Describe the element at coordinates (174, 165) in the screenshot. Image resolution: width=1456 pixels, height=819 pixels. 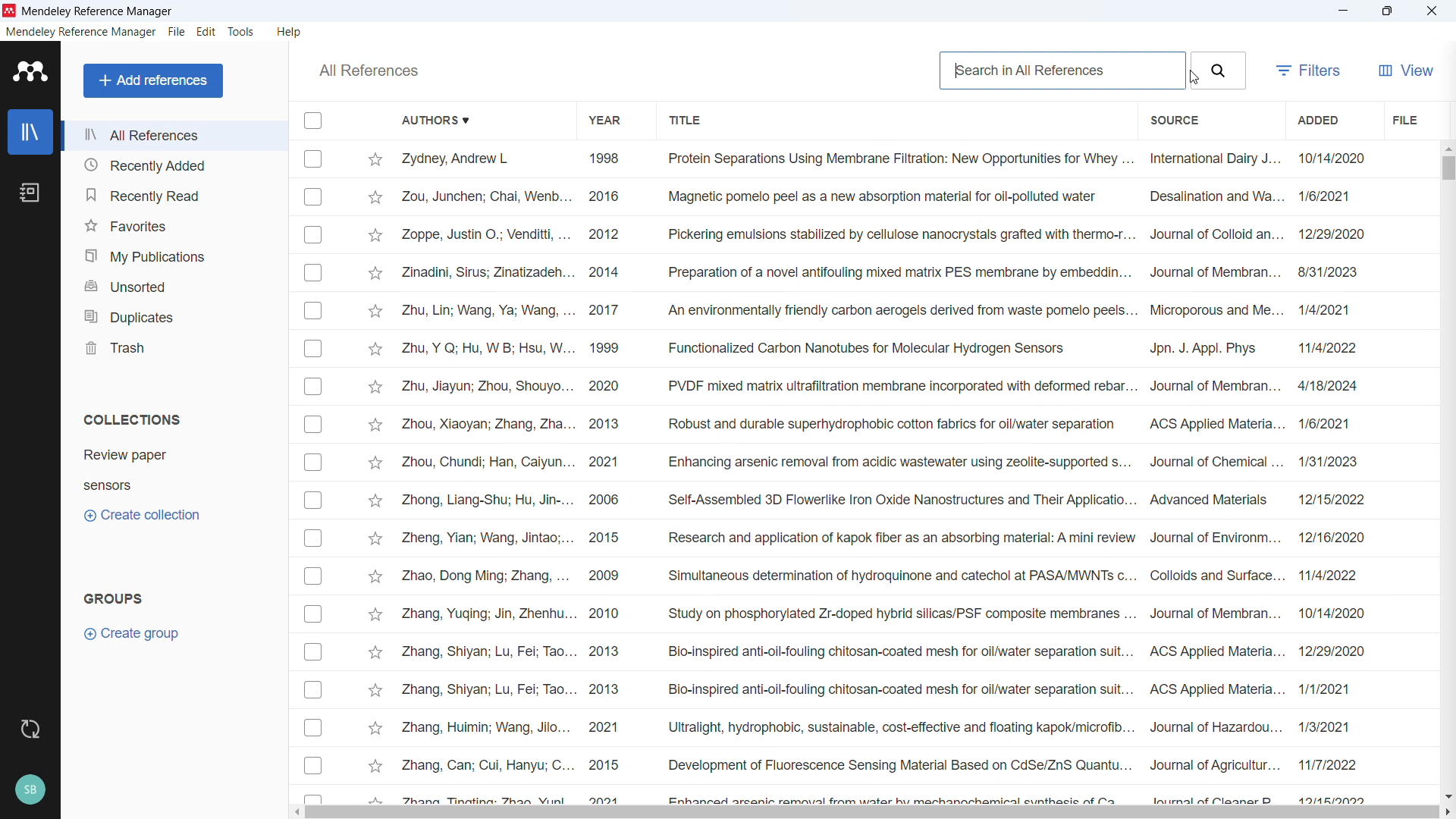
I see `Recently added ` at that location.